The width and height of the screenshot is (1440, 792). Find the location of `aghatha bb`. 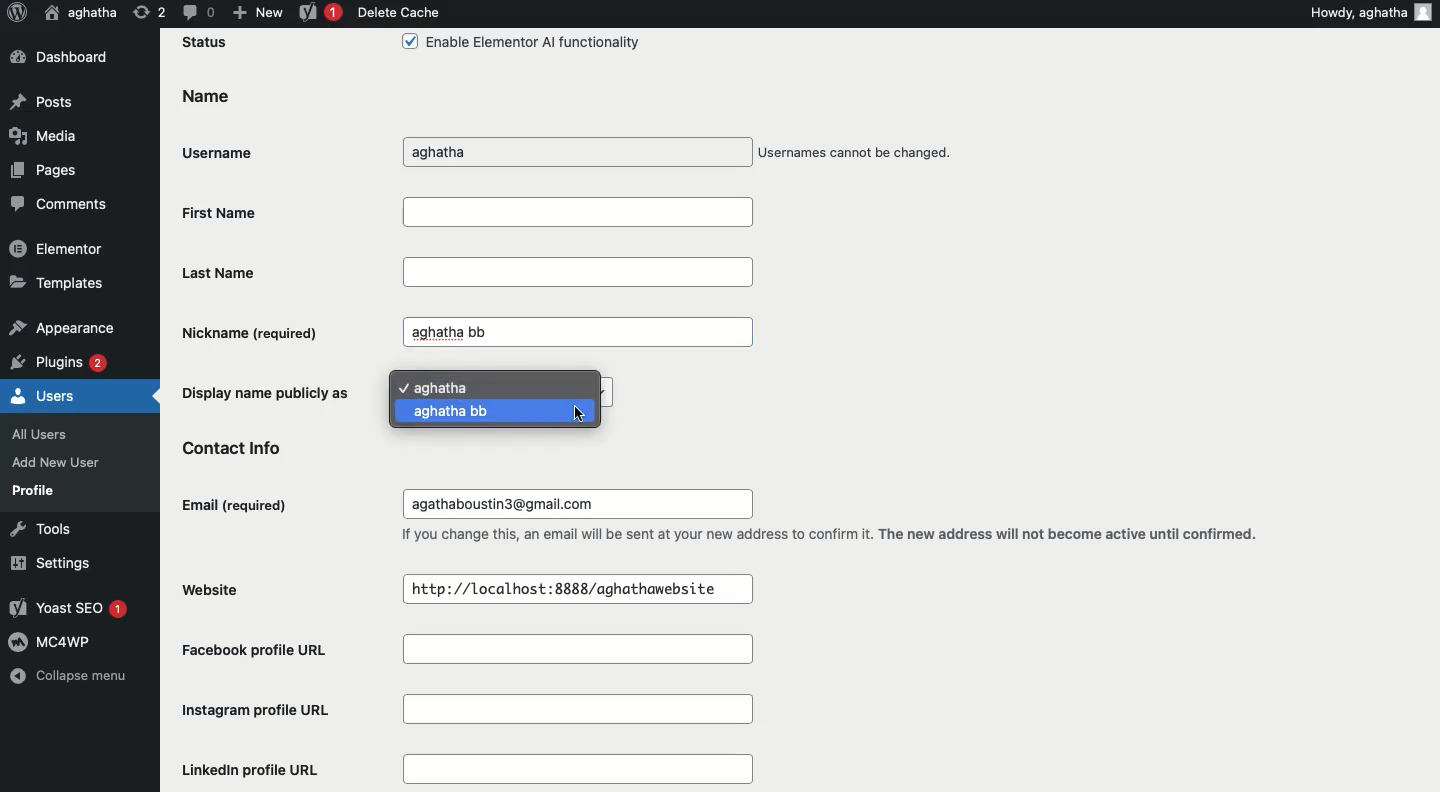

aghatha bb is located at coordinates (448, 332).